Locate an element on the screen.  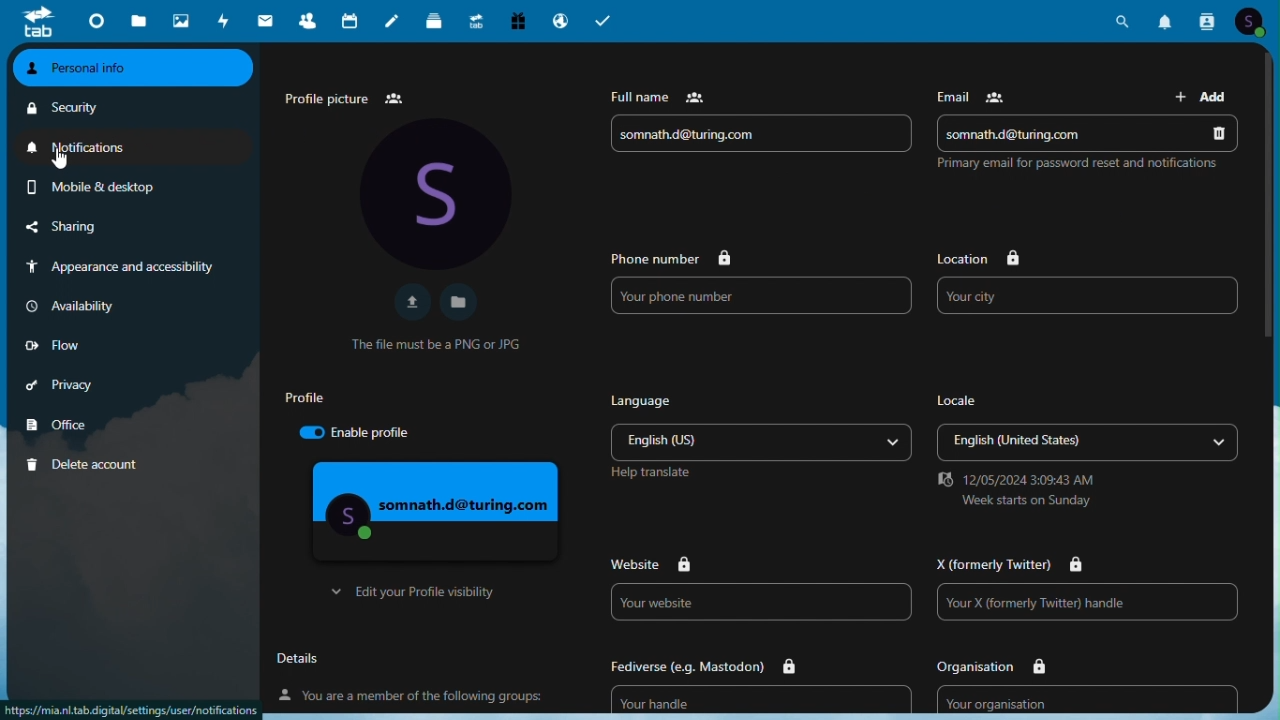
Your city is located at coordinates (1085, 296).